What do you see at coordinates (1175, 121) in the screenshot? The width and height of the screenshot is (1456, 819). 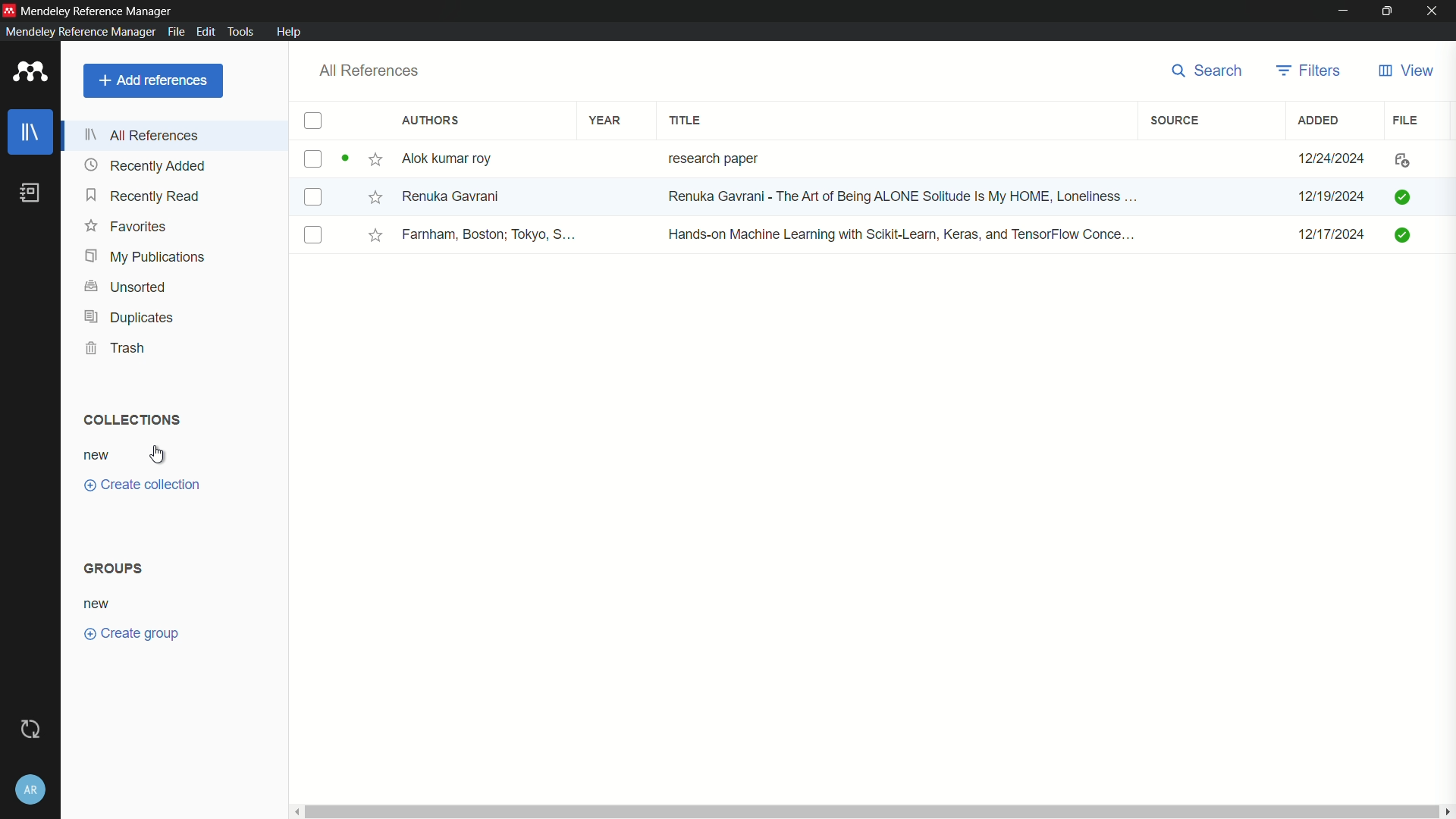 I see `source` at bounding box center [1175, 121].